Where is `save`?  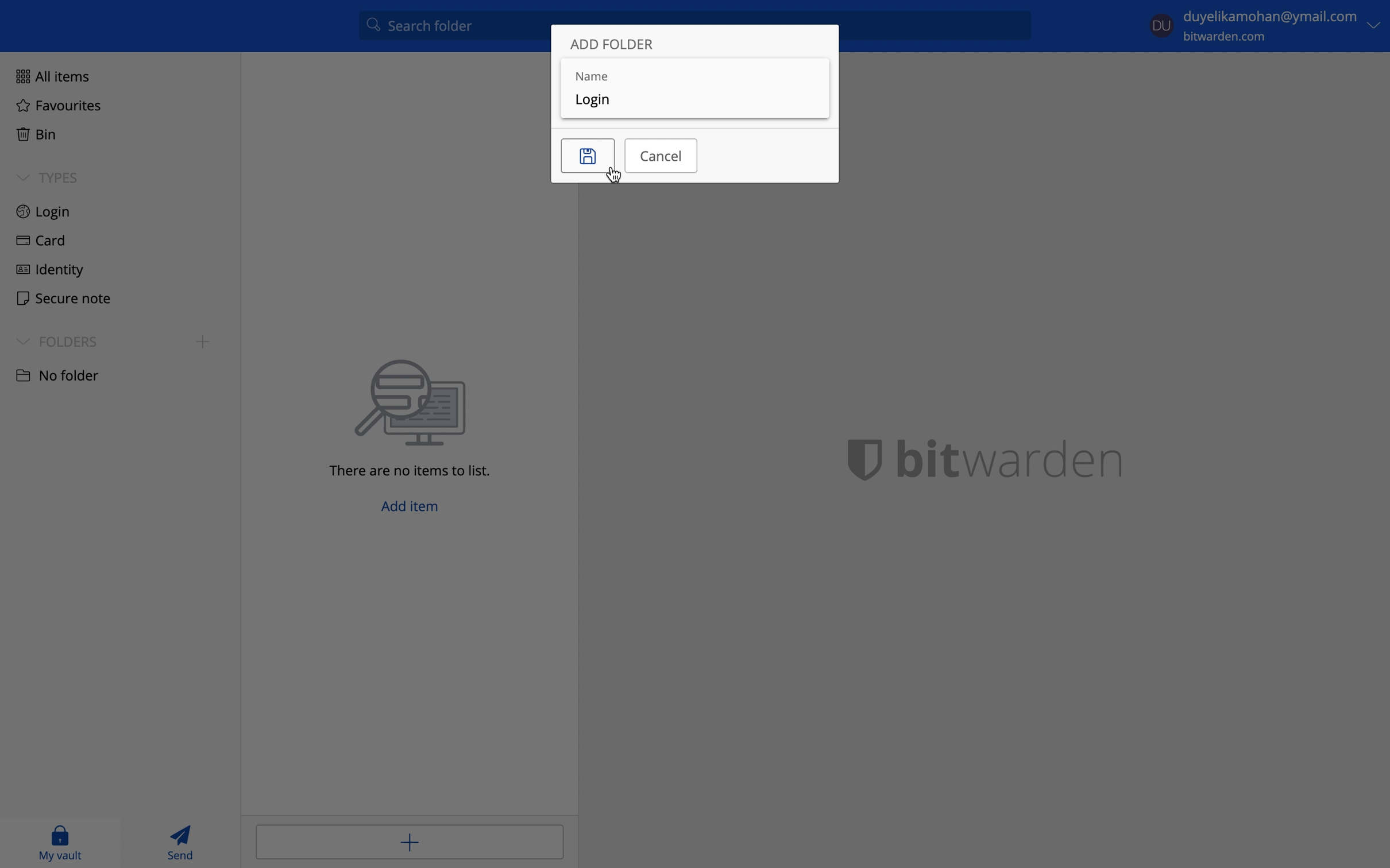
save is located at coordinates (588, 156).